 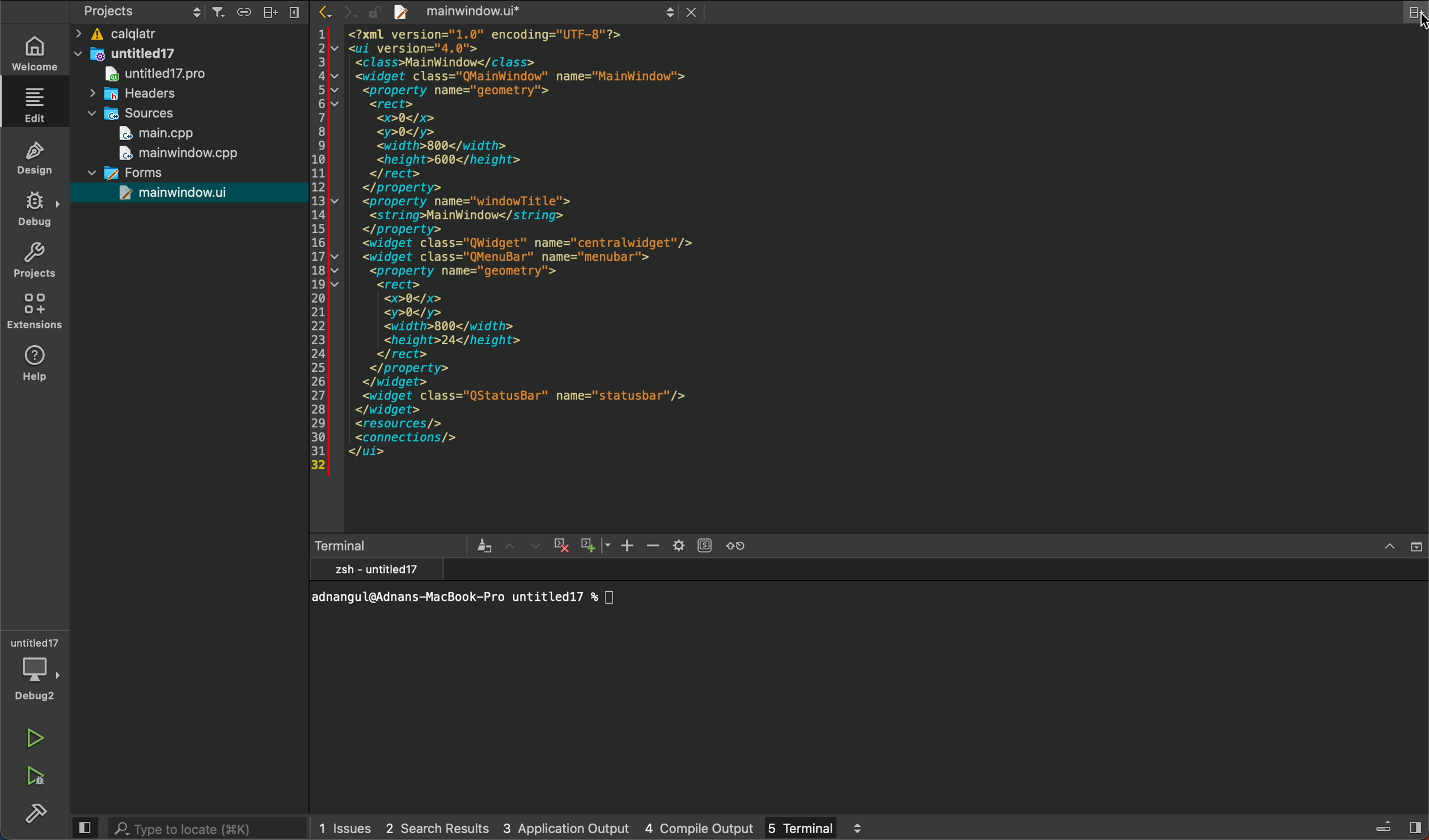 I want to click on projects, so click(x=36, y=259).